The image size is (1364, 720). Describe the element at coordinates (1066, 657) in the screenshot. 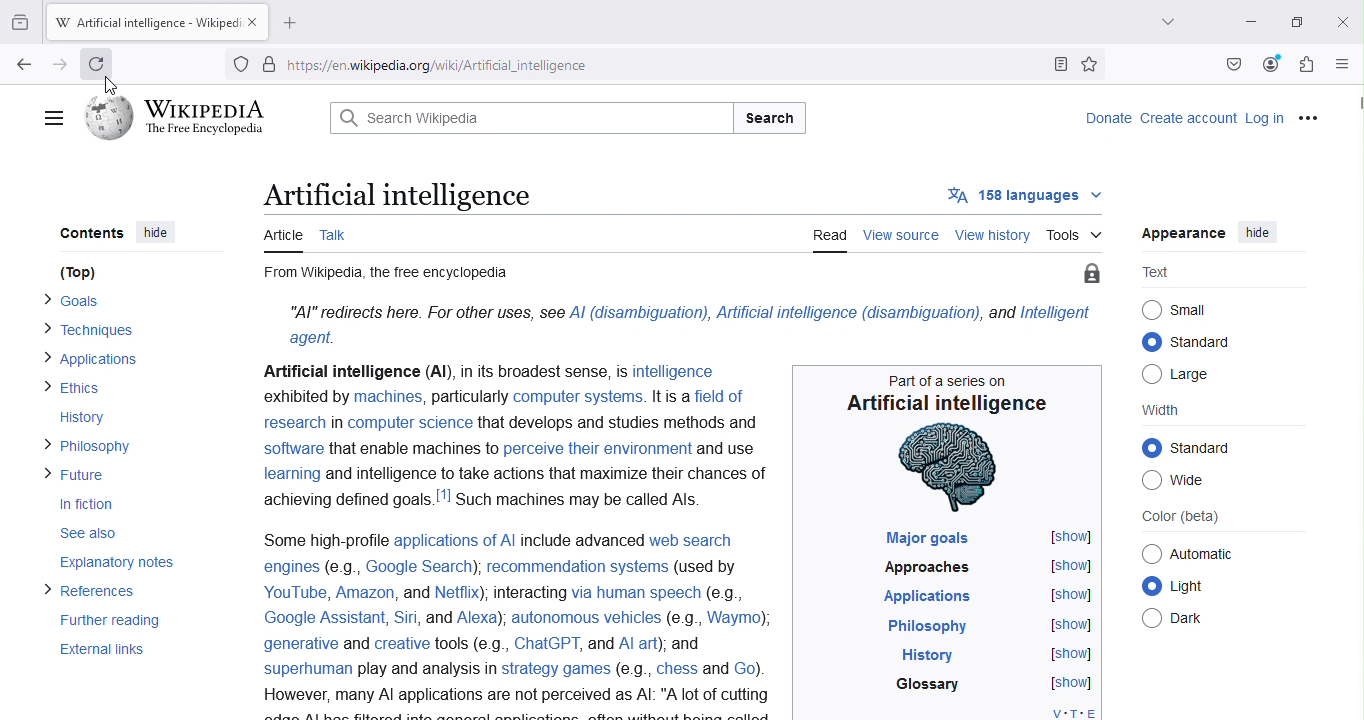

I see `[show]` at that location.